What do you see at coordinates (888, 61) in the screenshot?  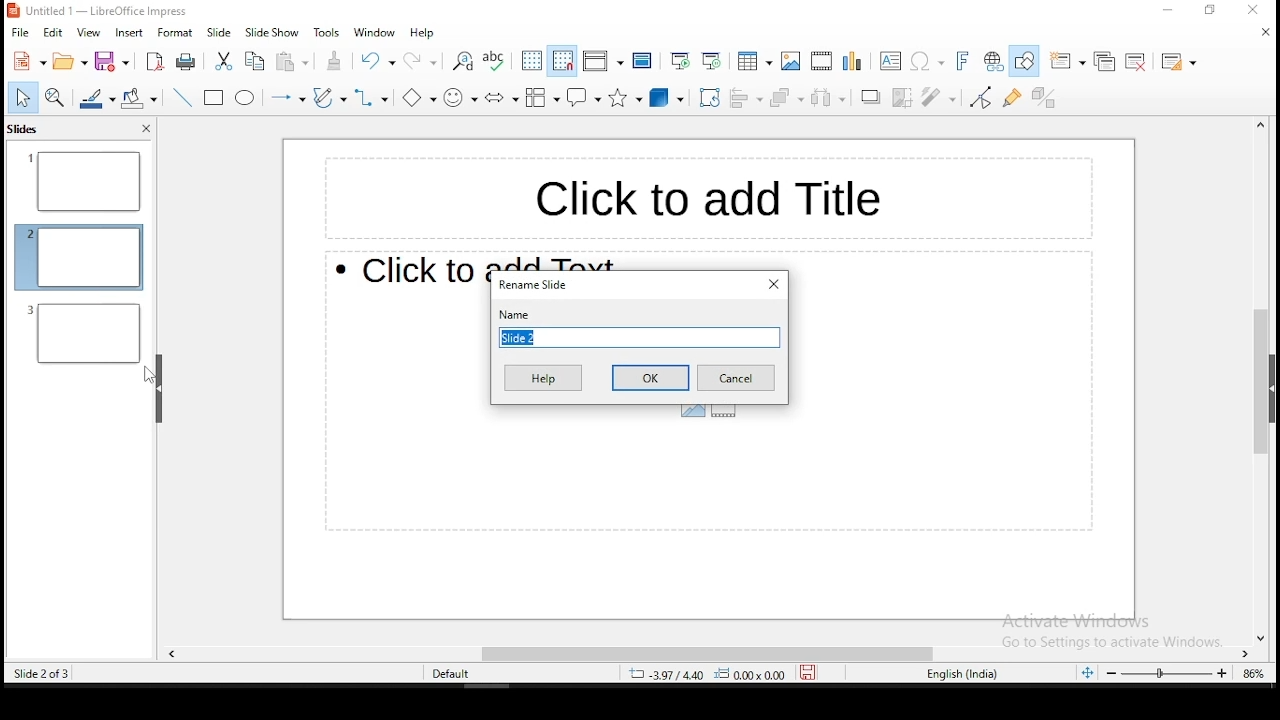 I see `text box` at bounding box center [888, 61].